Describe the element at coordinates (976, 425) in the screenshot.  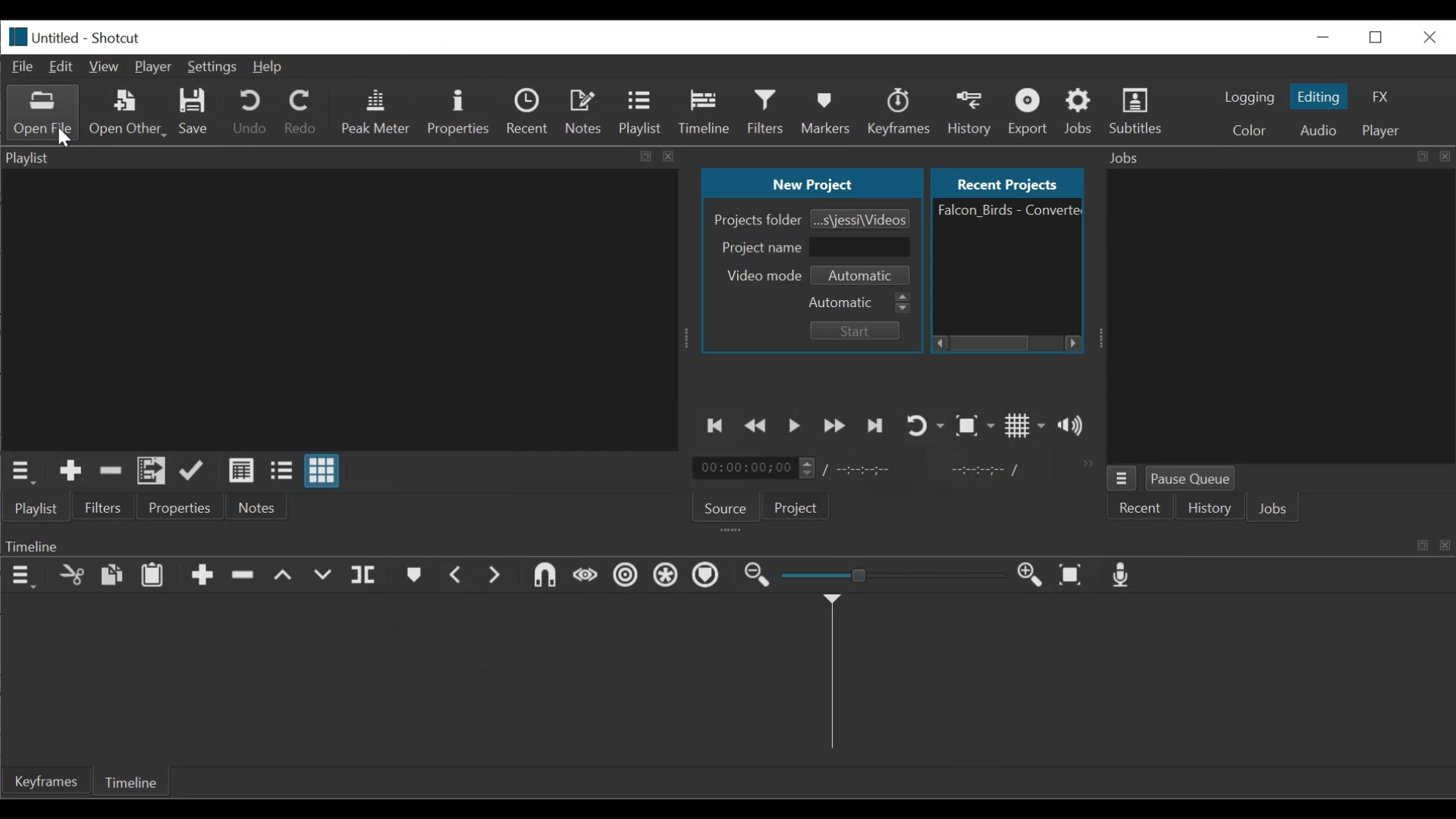
I see `Toggle Zoom ` at that location.